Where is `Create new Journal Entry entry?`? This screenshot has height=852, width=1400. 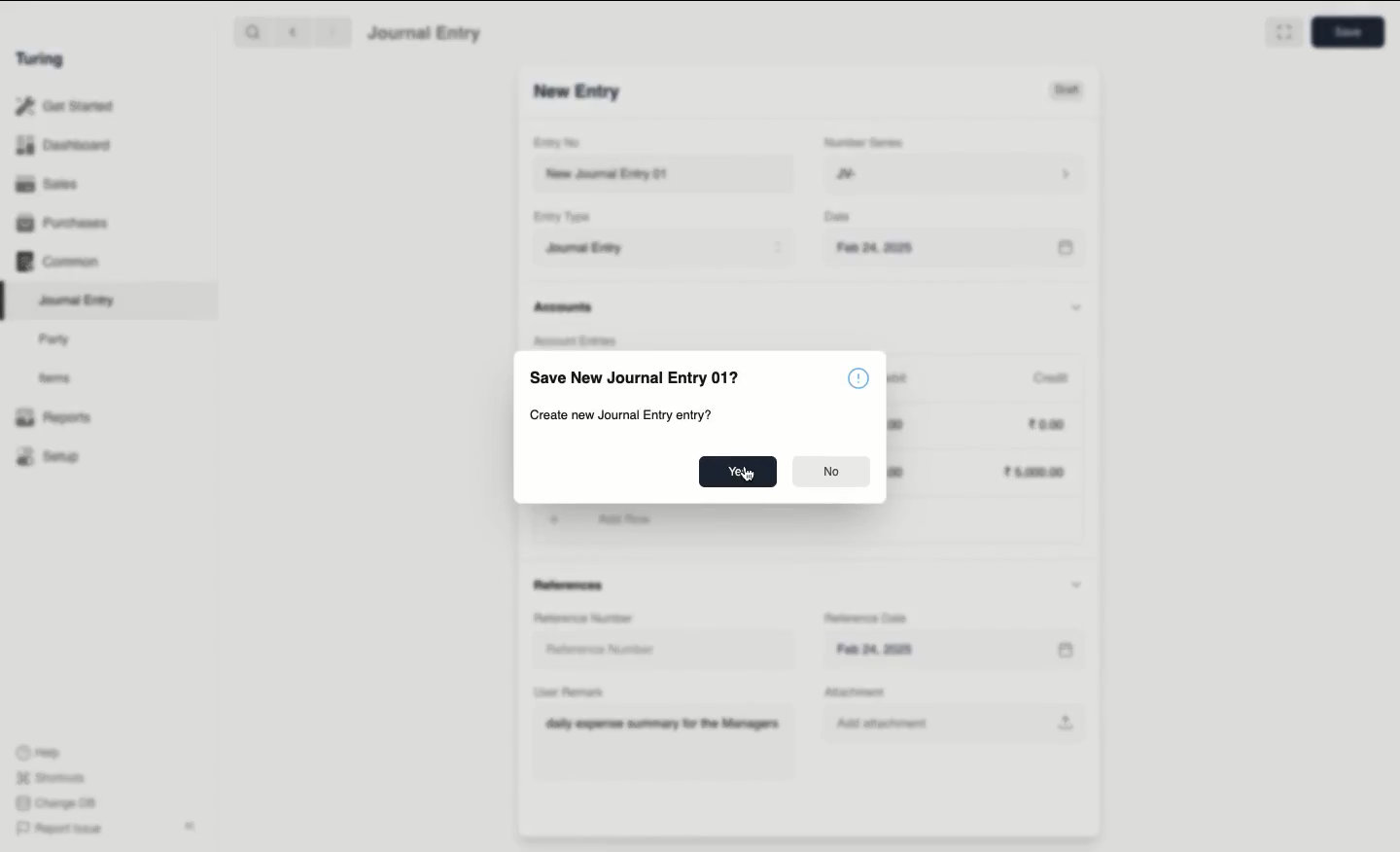 Create new Journal Entry entry? is located at coordinates (621, 415).